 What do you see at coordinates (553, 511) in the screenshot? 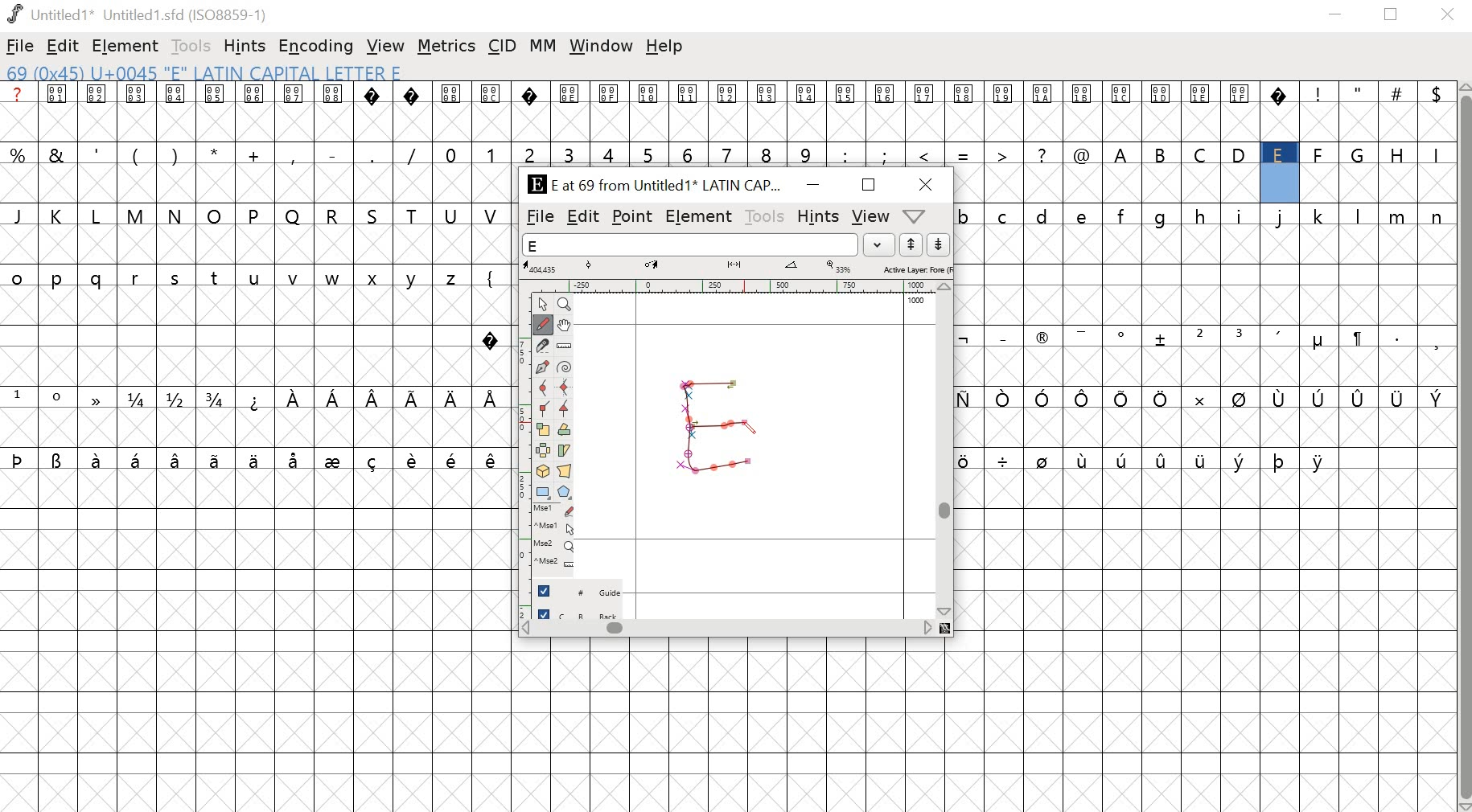
I see `Mouse left button` at bounding box center [553, 511].